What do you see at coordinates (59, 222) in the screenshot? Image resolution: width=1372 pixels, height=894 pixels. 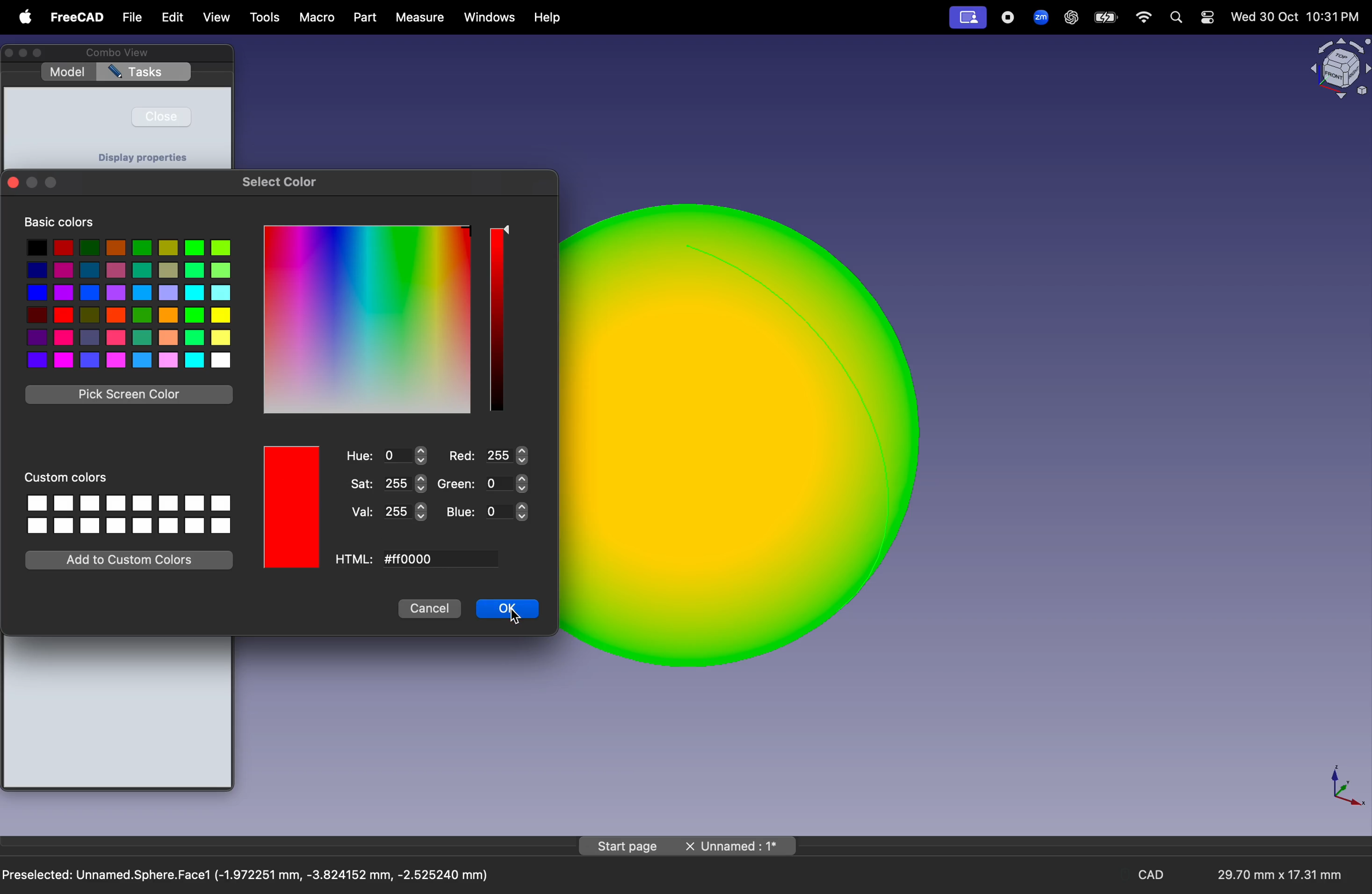 I see `basic colors` at bounding box center [59, 222].